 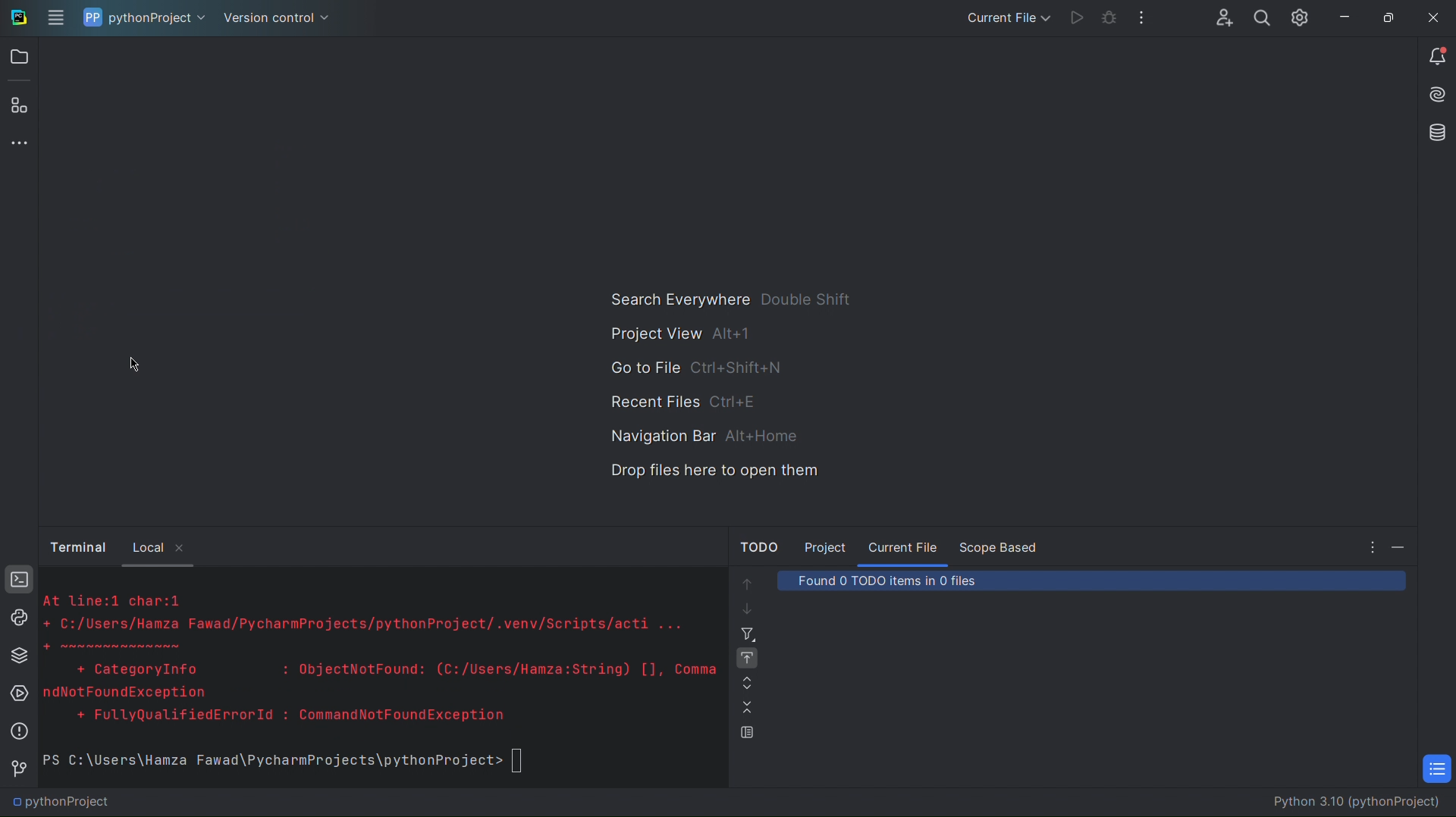 I want to click on Go to File ctrl+shift+n, so click(x=698, y=368).